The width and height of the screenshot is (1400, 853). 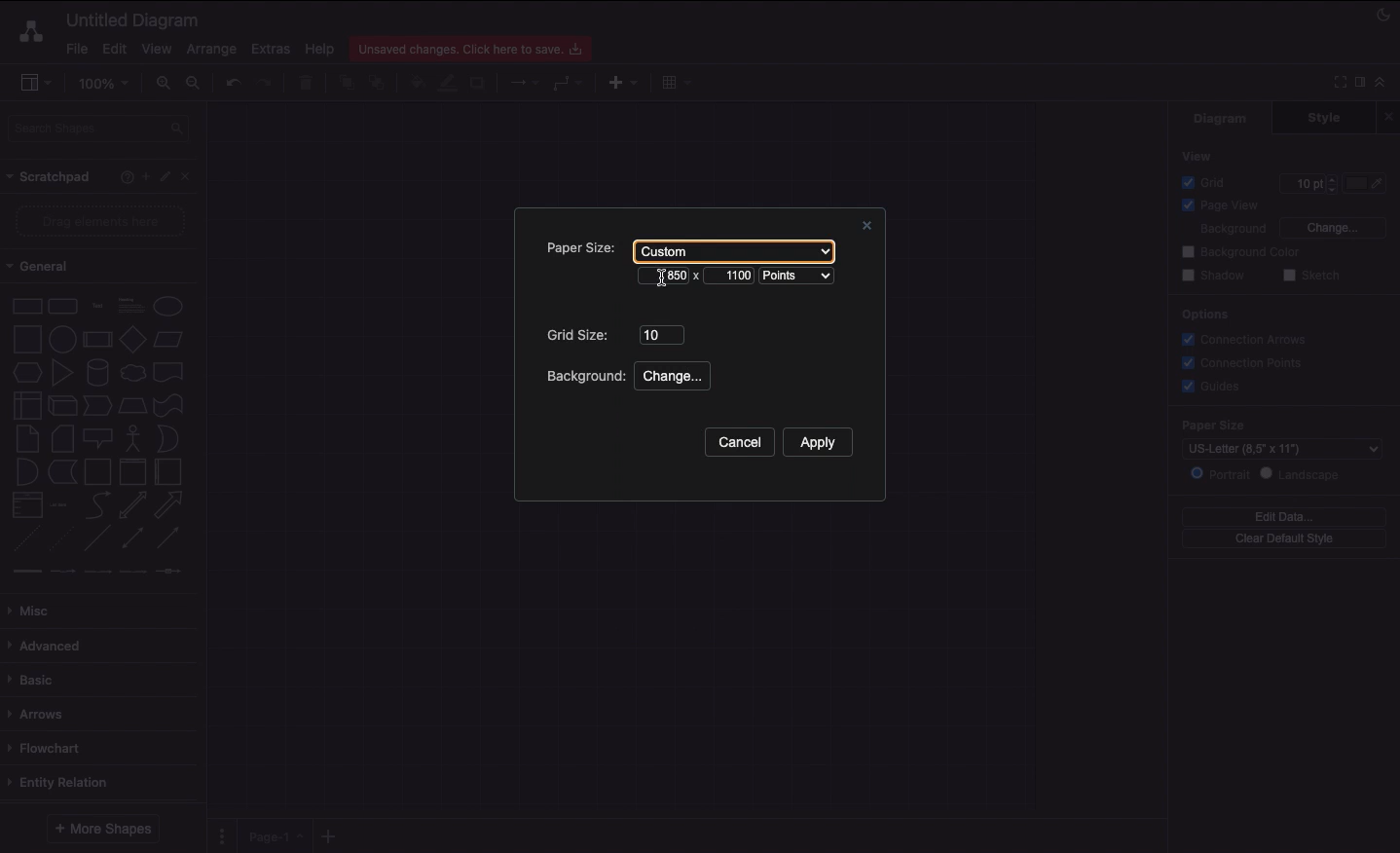 I want to click on Diagram, so click(x=1222, y=118).